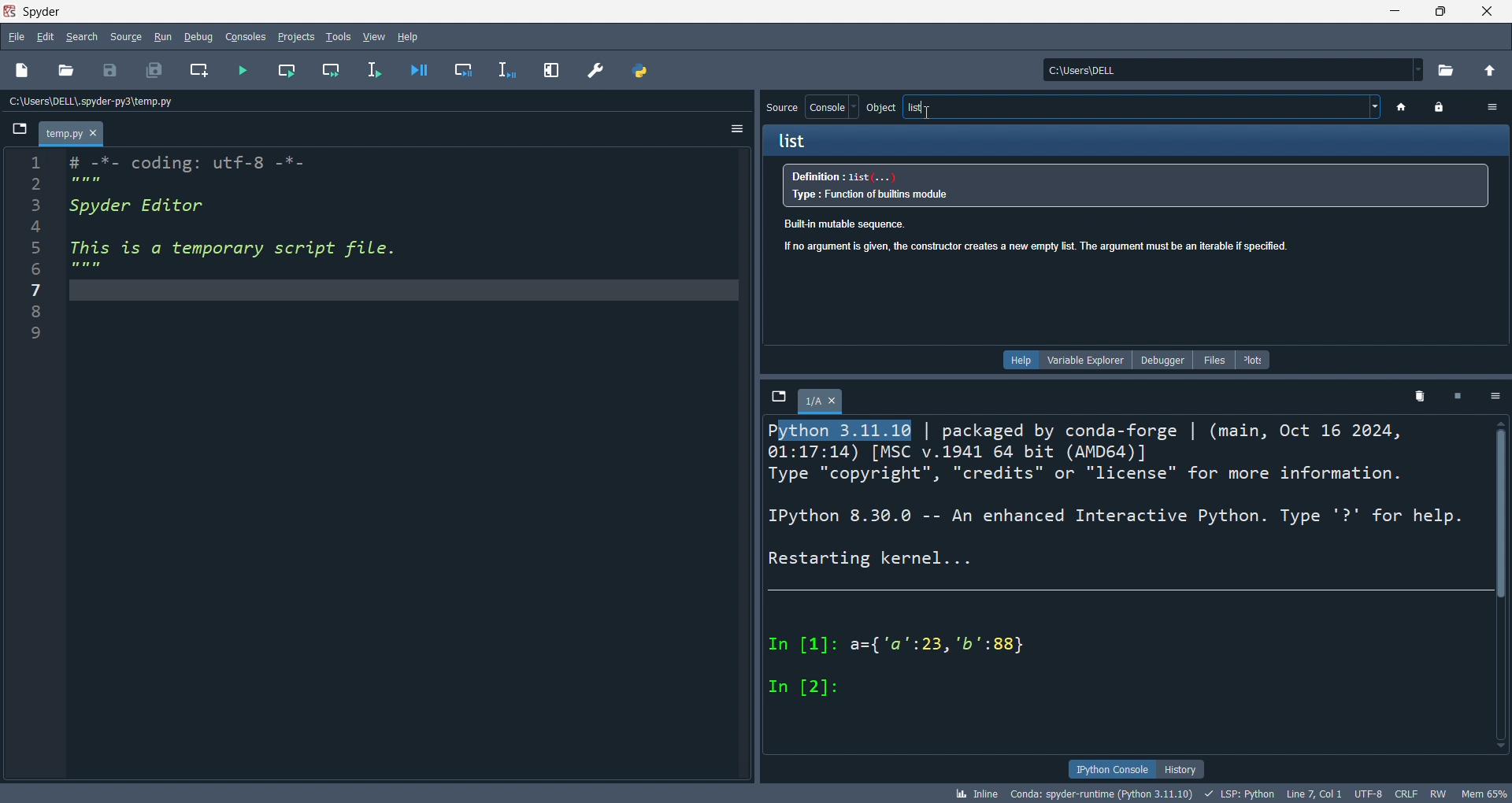  What do you see at coordinates (504, 68) in the screenshot?
I see `debug line` at bounding box center [504, 68].